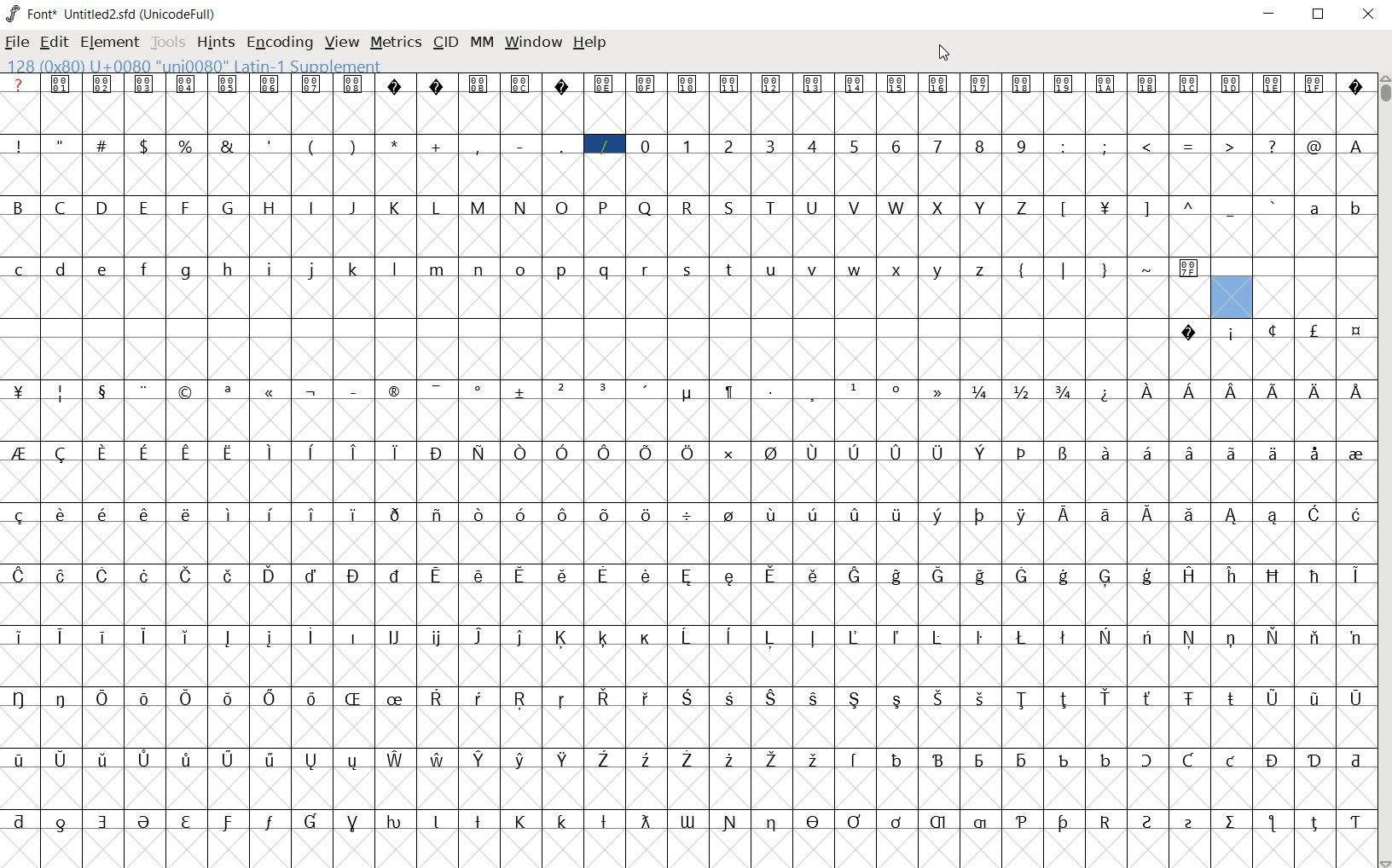  Describe the element at coordinates (1021, 576) in the screenshot. I see `glyph` at that location.